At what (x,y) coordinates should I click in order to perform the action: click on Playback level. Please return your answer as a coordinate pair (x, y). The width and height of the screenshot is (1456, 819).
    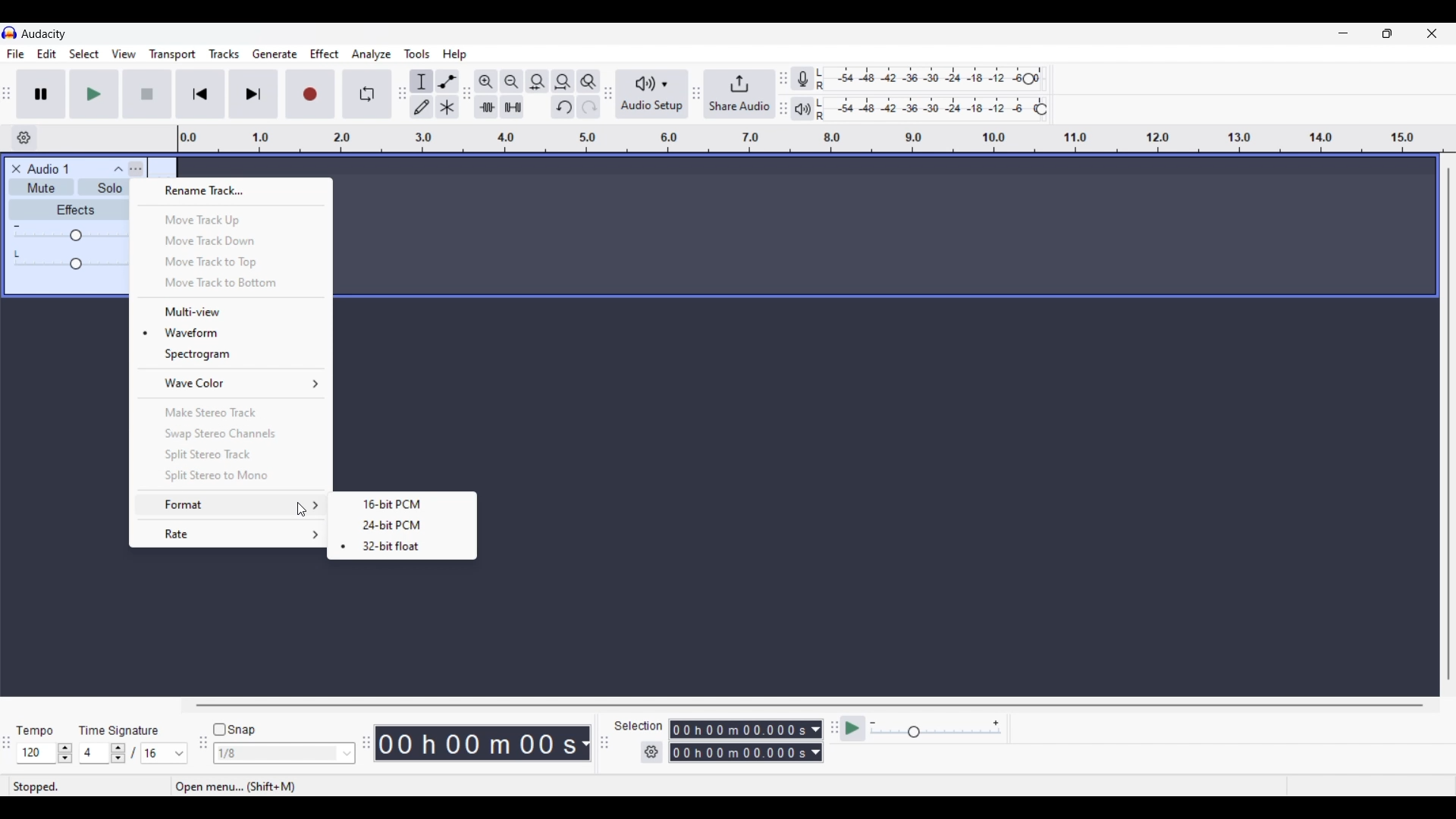
    Looking at the image, I should click on (935, 109).